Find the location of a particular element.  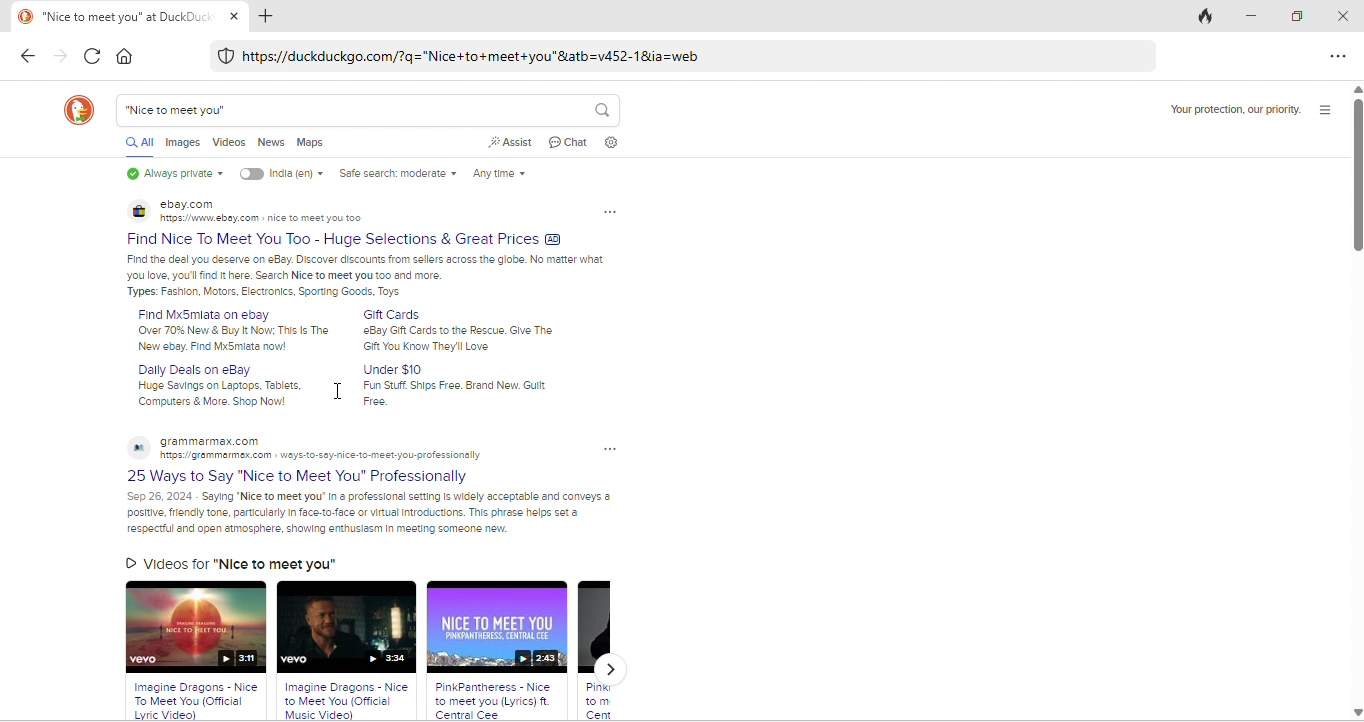

Dally Deals on eBay.
Huge Savings on Laptops, Tablets,
Computers & More. Shop Now! is located at coordinates (216, 395).